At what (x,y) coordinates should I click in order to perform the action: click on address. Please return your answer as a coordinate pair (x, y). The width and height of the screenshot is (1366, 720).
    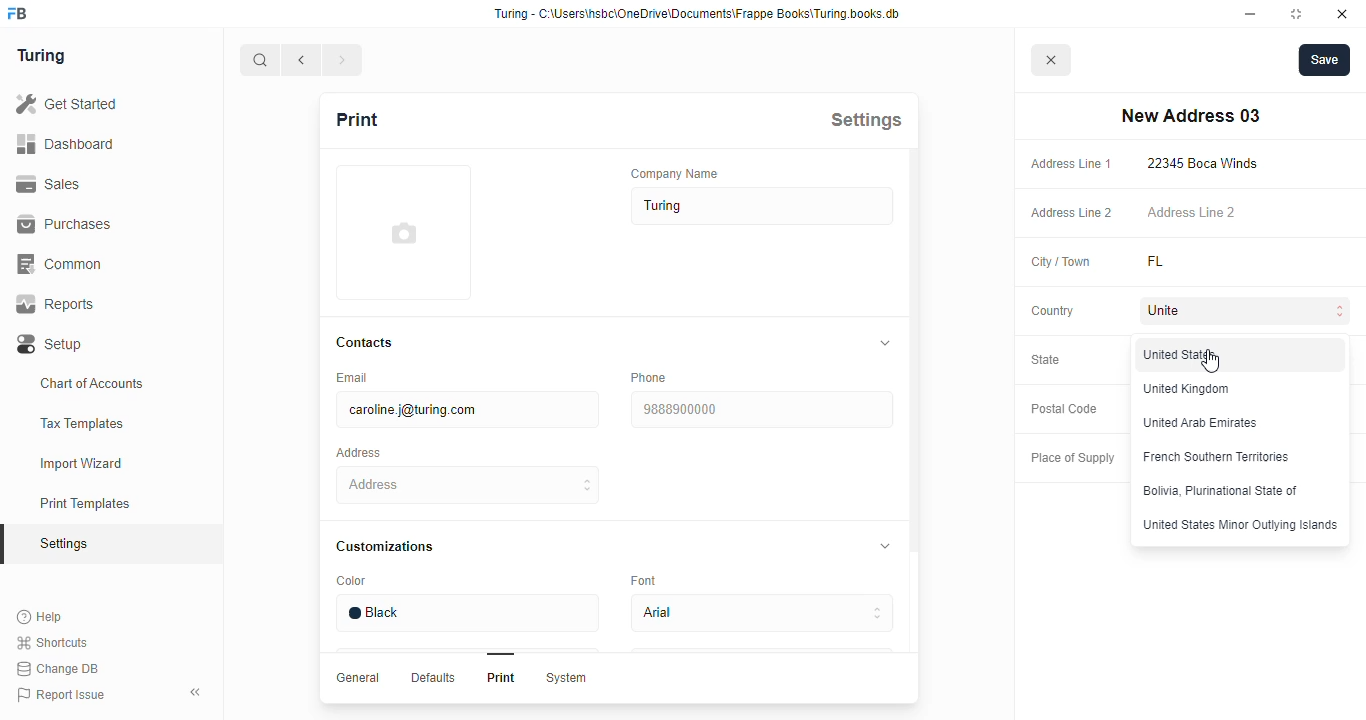
    Looking at the image, I should click on (469, 485).